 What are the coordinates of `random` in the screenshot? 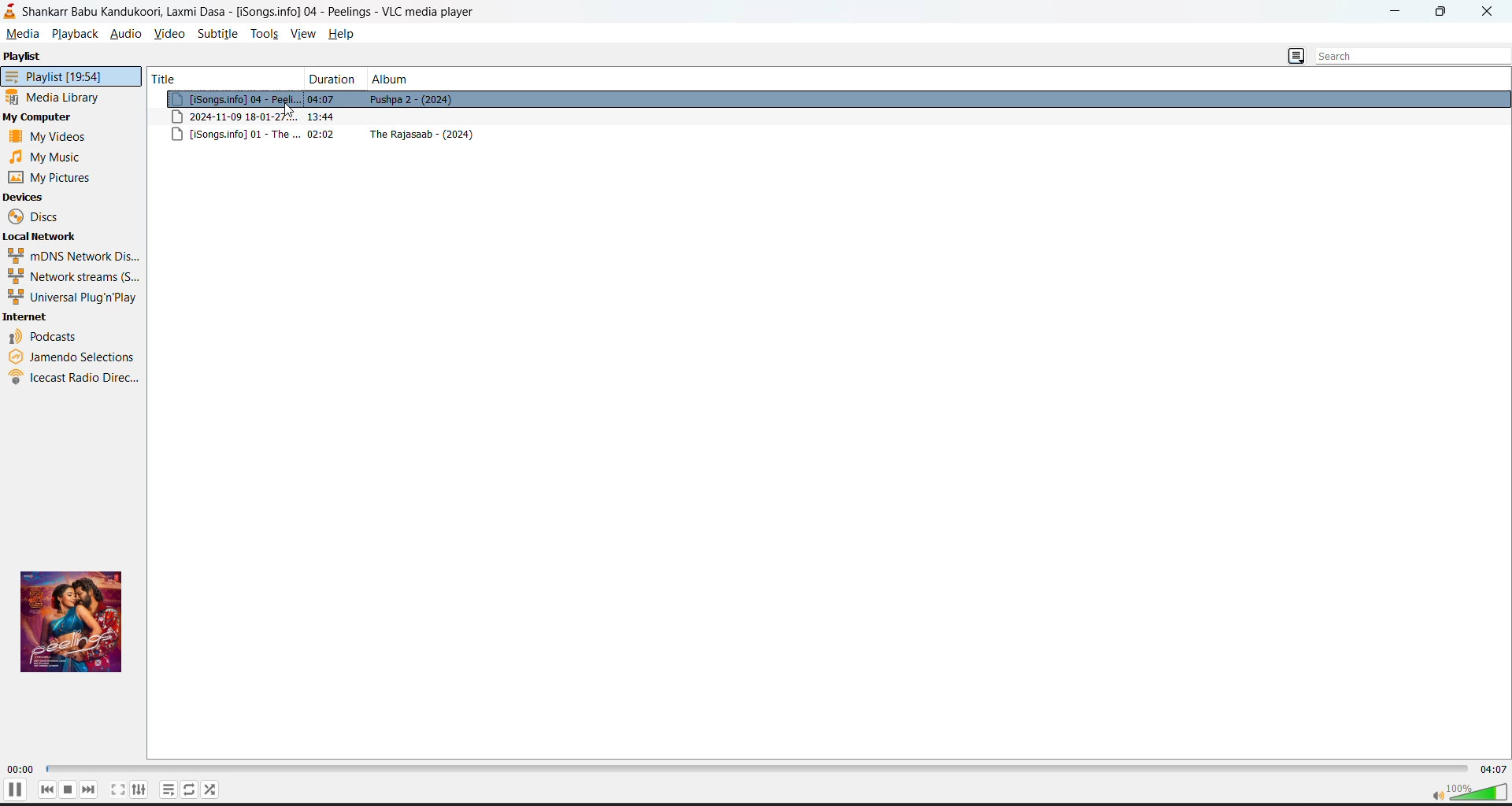 It's located at (212, 790).